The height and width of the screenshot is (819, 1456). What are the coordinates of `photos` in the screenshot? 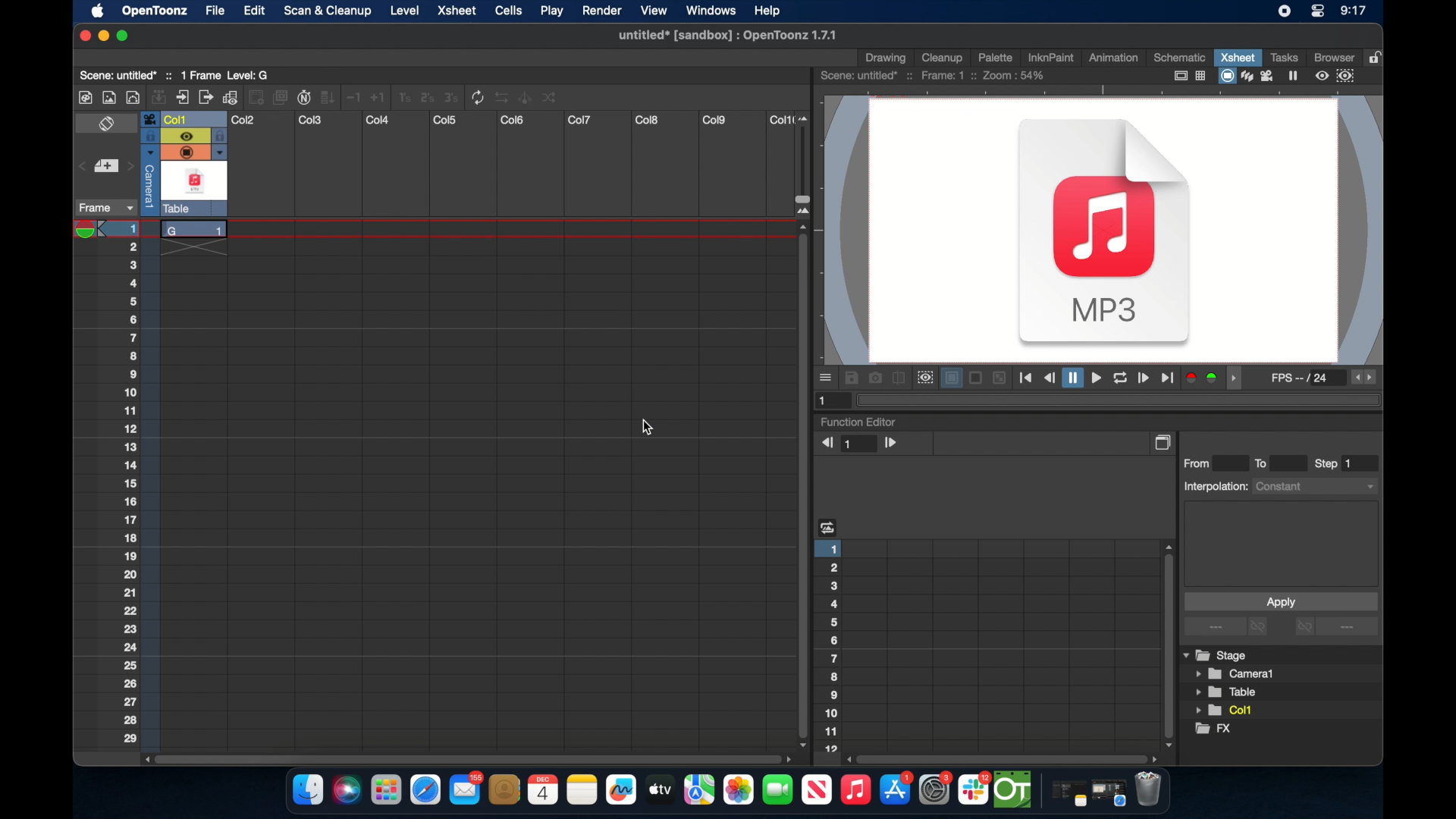 It's located at (738, 790).